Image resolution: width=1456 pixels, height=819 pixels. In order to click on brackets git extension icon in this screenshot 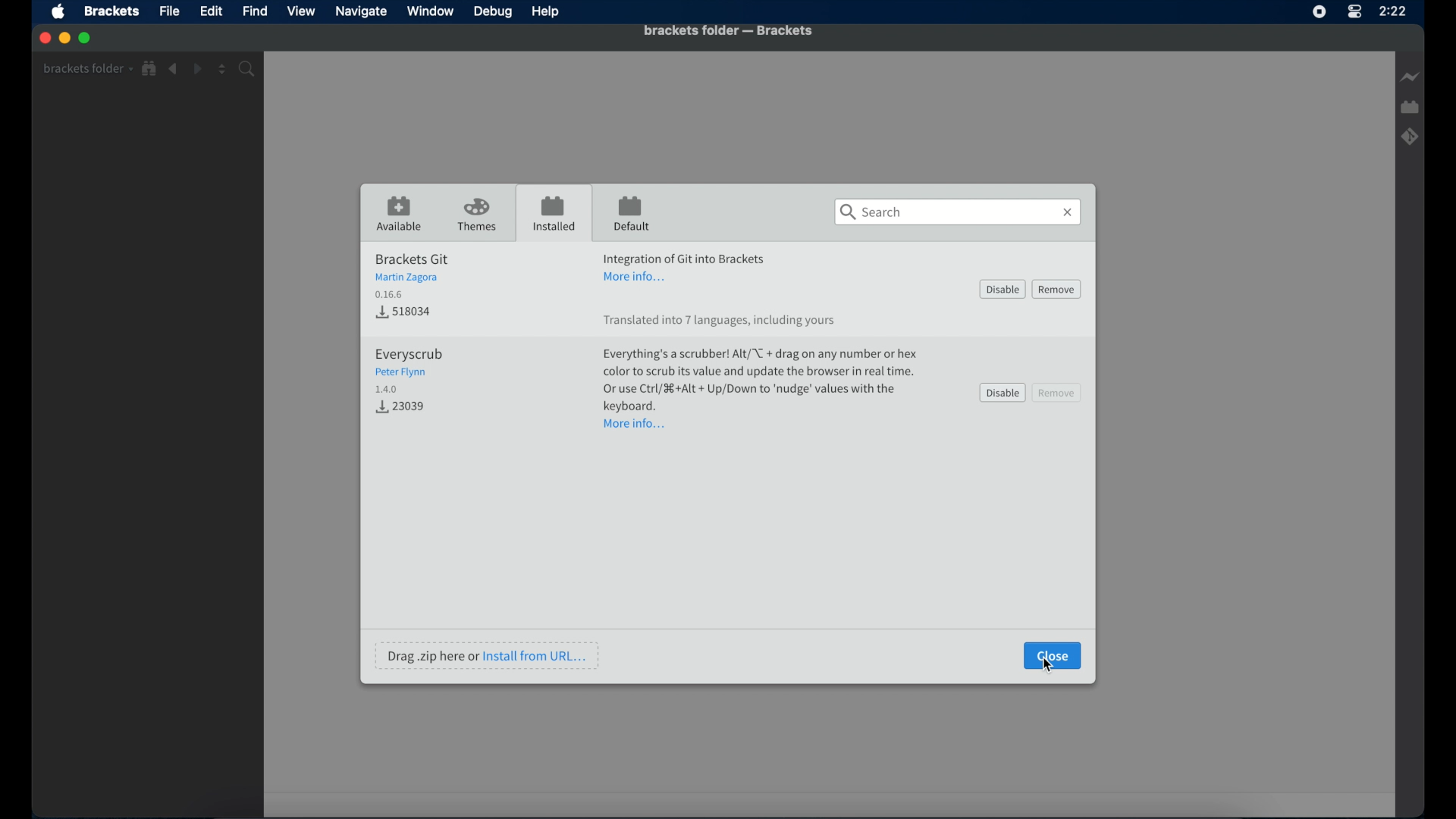, I will do `click(1410, 136)`.